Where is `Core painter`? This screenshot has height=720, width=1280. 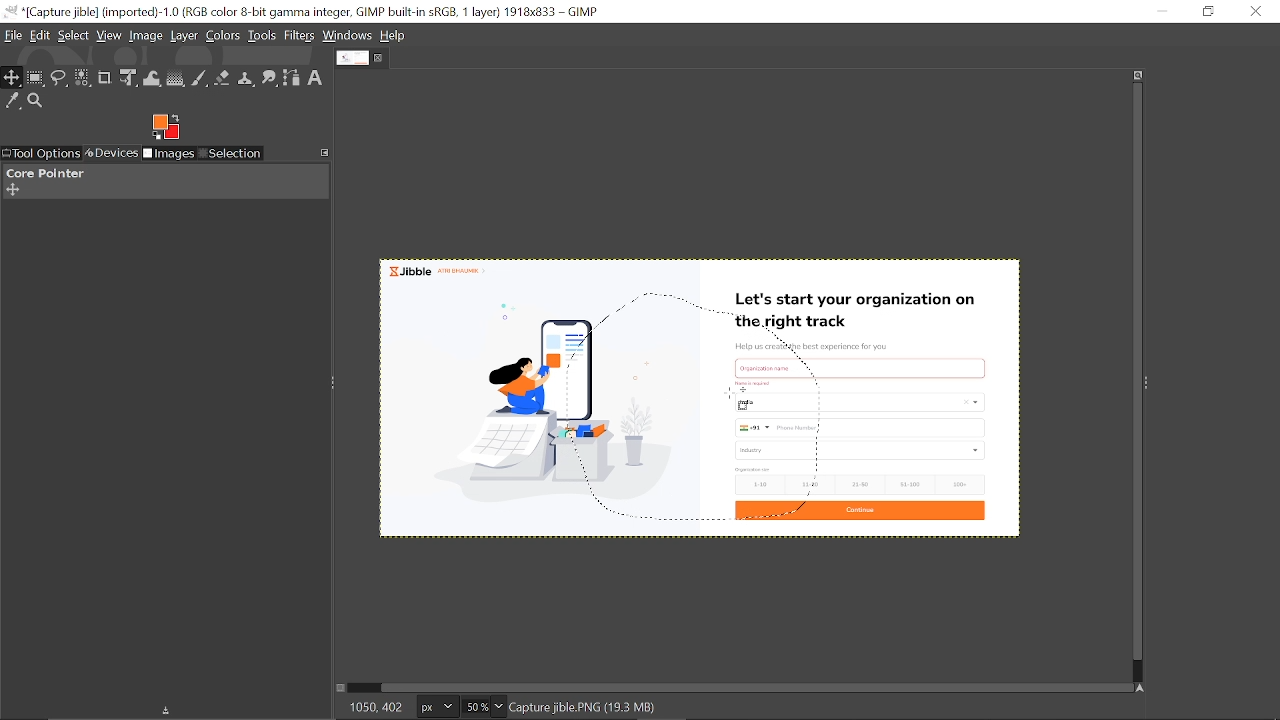
Core painter is located at coordinates (43, 173).